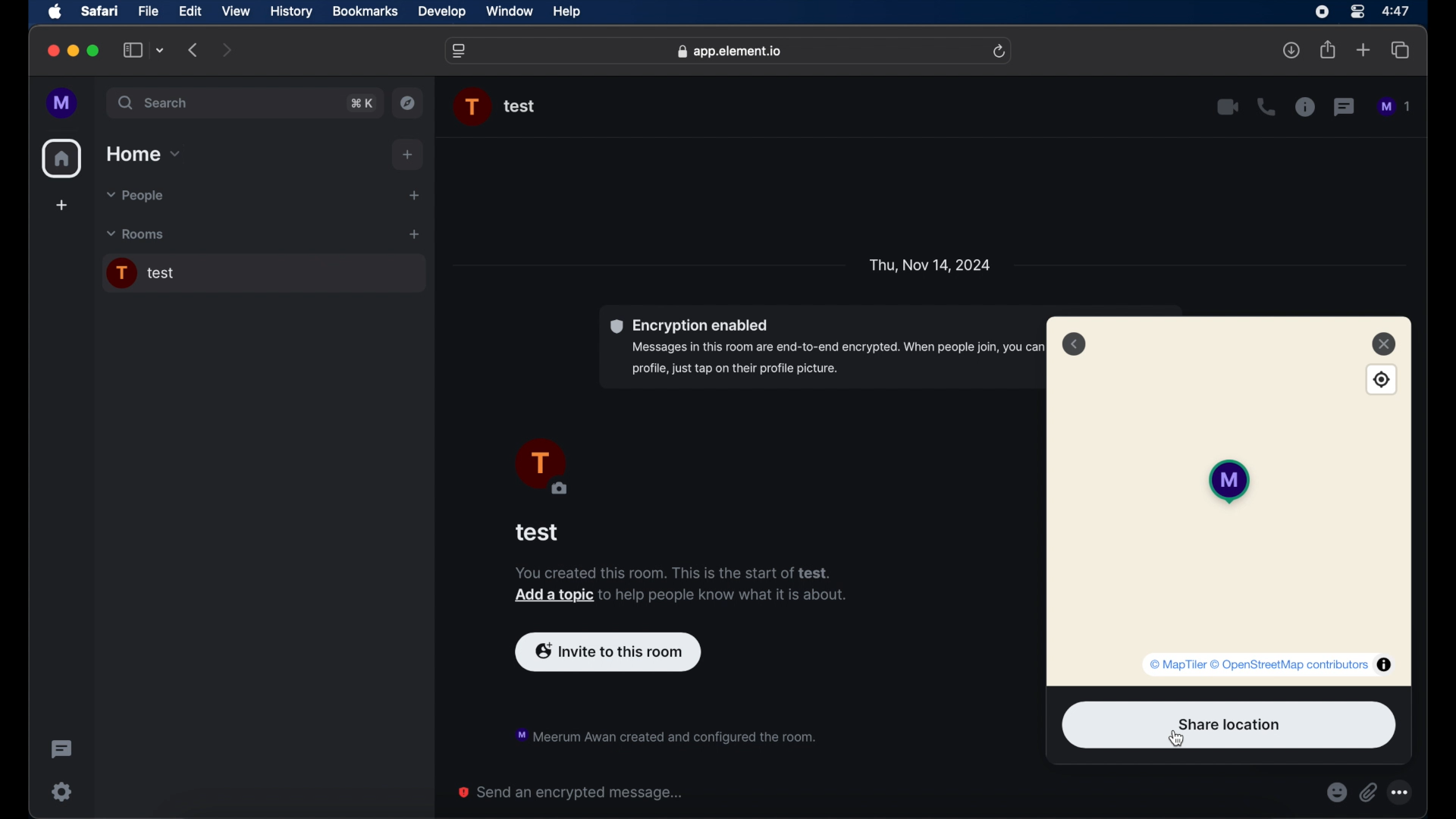  I want to click on chat room, so click(263, 274).